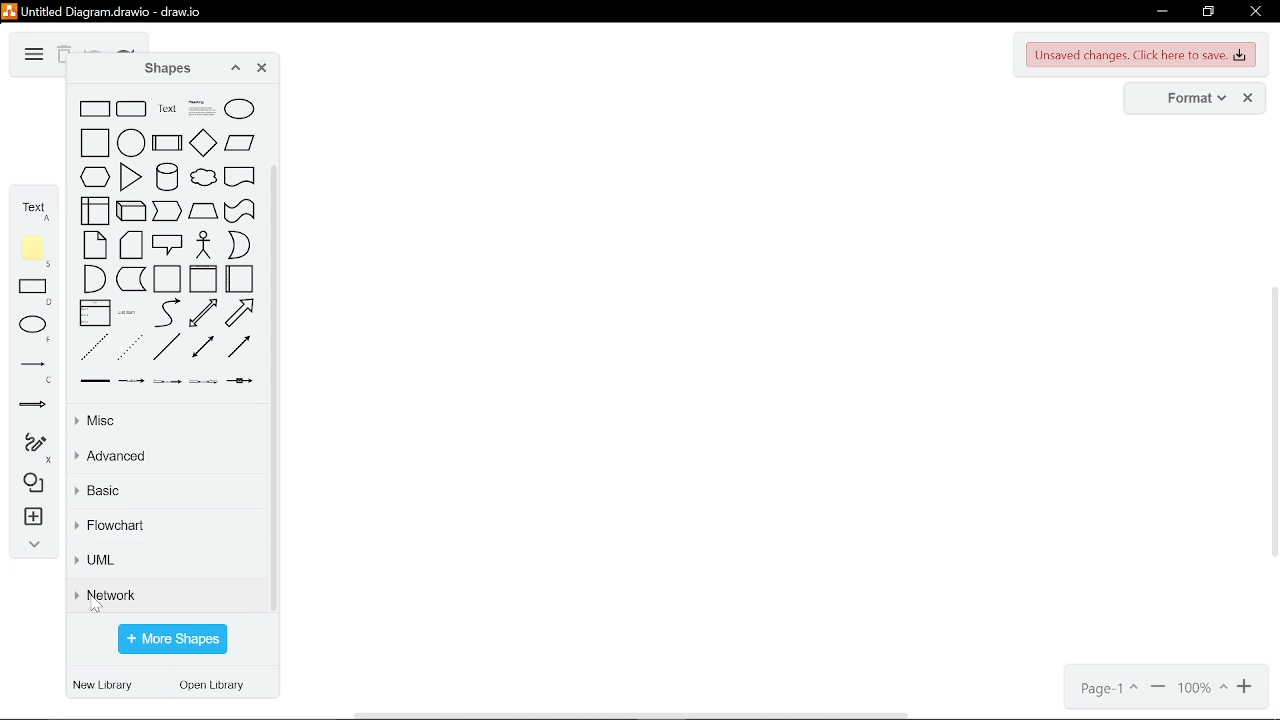 The height and width of the screenshot is (720, 1280). What do you see at coordinates (95, 381) in the screenshot?
I see `link` at bounding box center [95, 381].